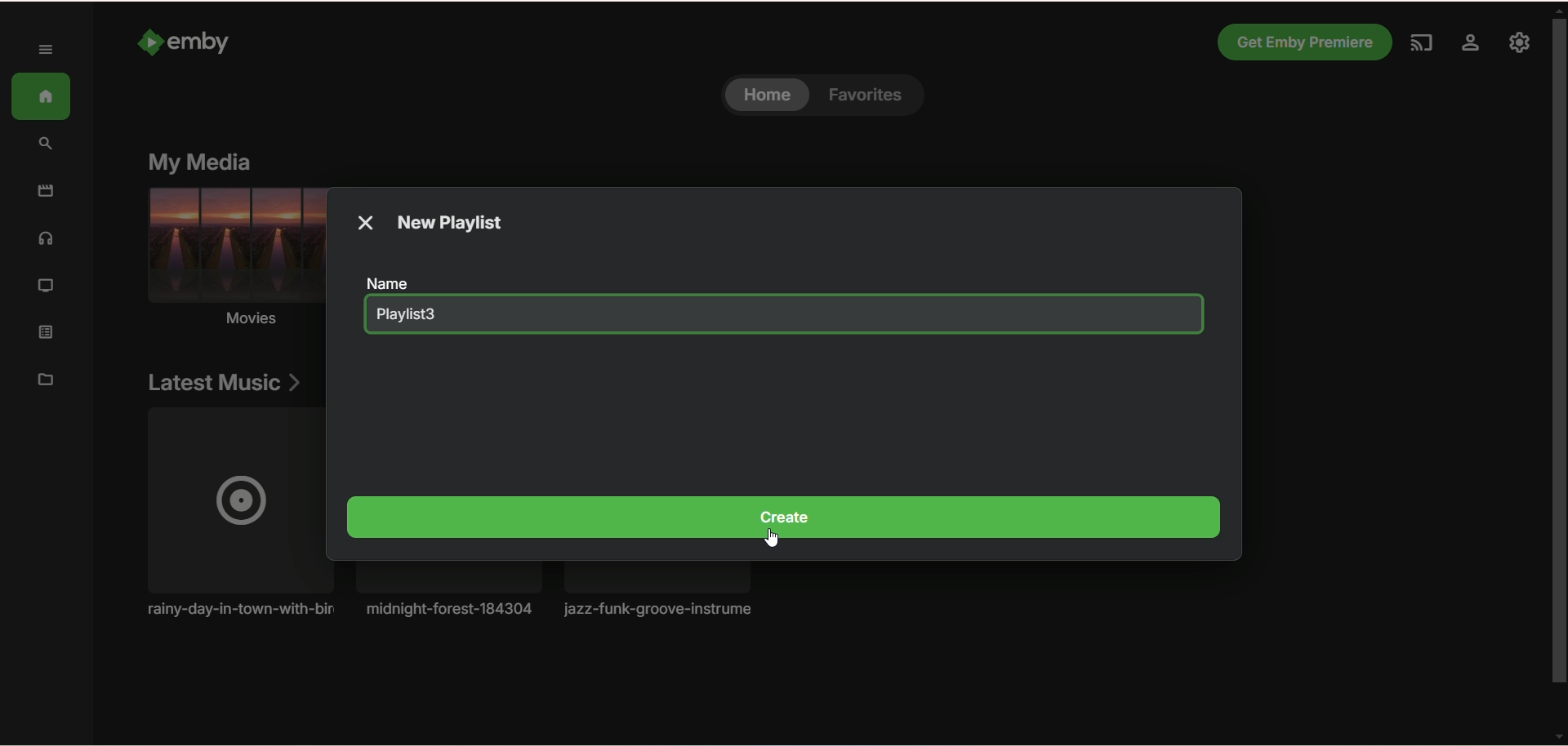 The image size is (1568, 746). Describe the element at coordinates (47, 287) in the screenshot. I see `TV shows` at that location.